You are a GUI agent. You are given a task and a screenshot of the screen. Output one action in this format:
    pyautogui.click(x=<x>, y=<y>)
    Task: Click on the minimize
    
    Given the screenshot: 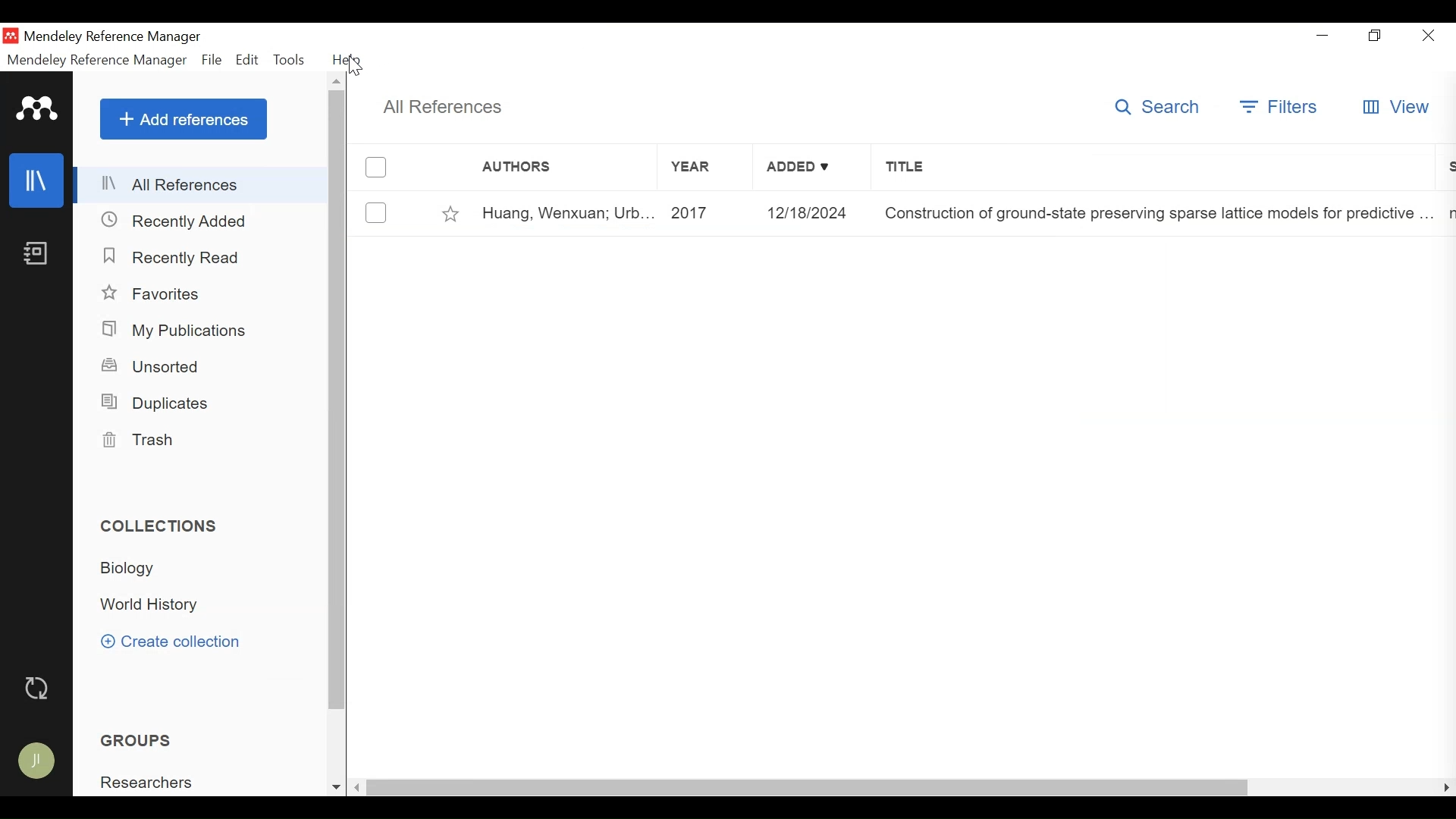 What is the action you would take?
    pyautogui.click(x=1323, y=39)
    